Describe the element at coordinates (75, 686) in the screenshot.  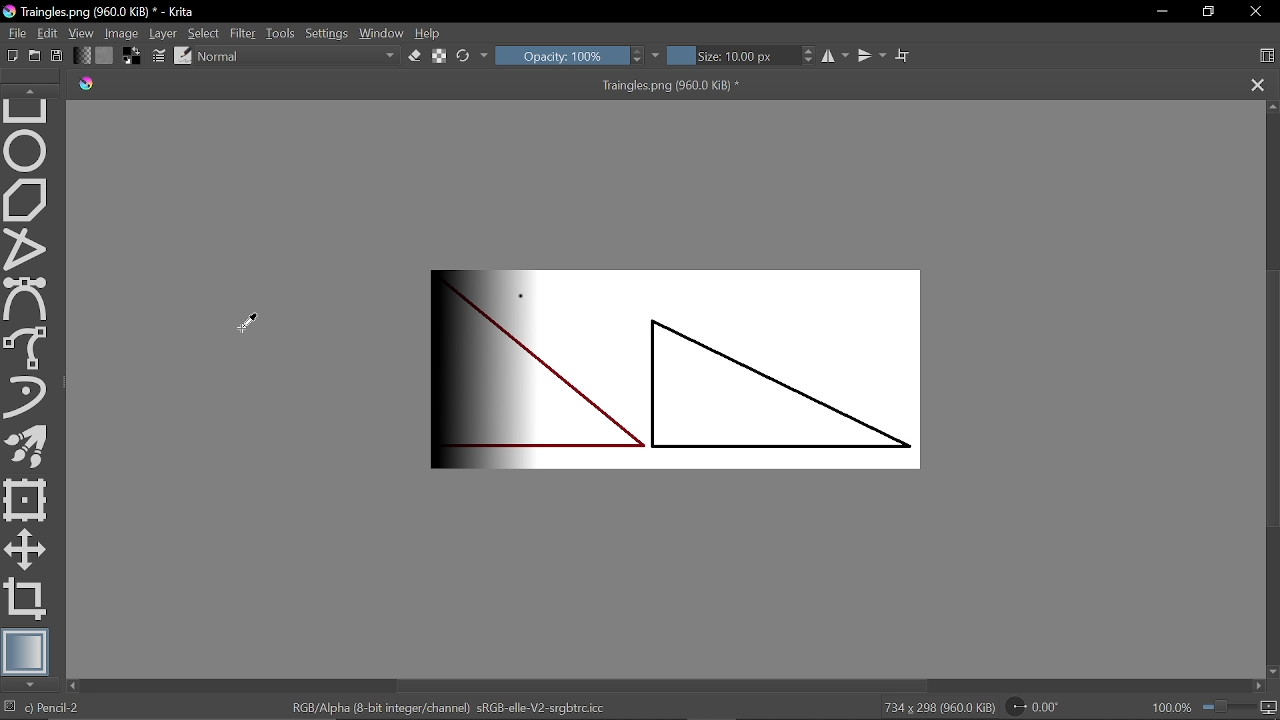
I see `Move left` at that location.